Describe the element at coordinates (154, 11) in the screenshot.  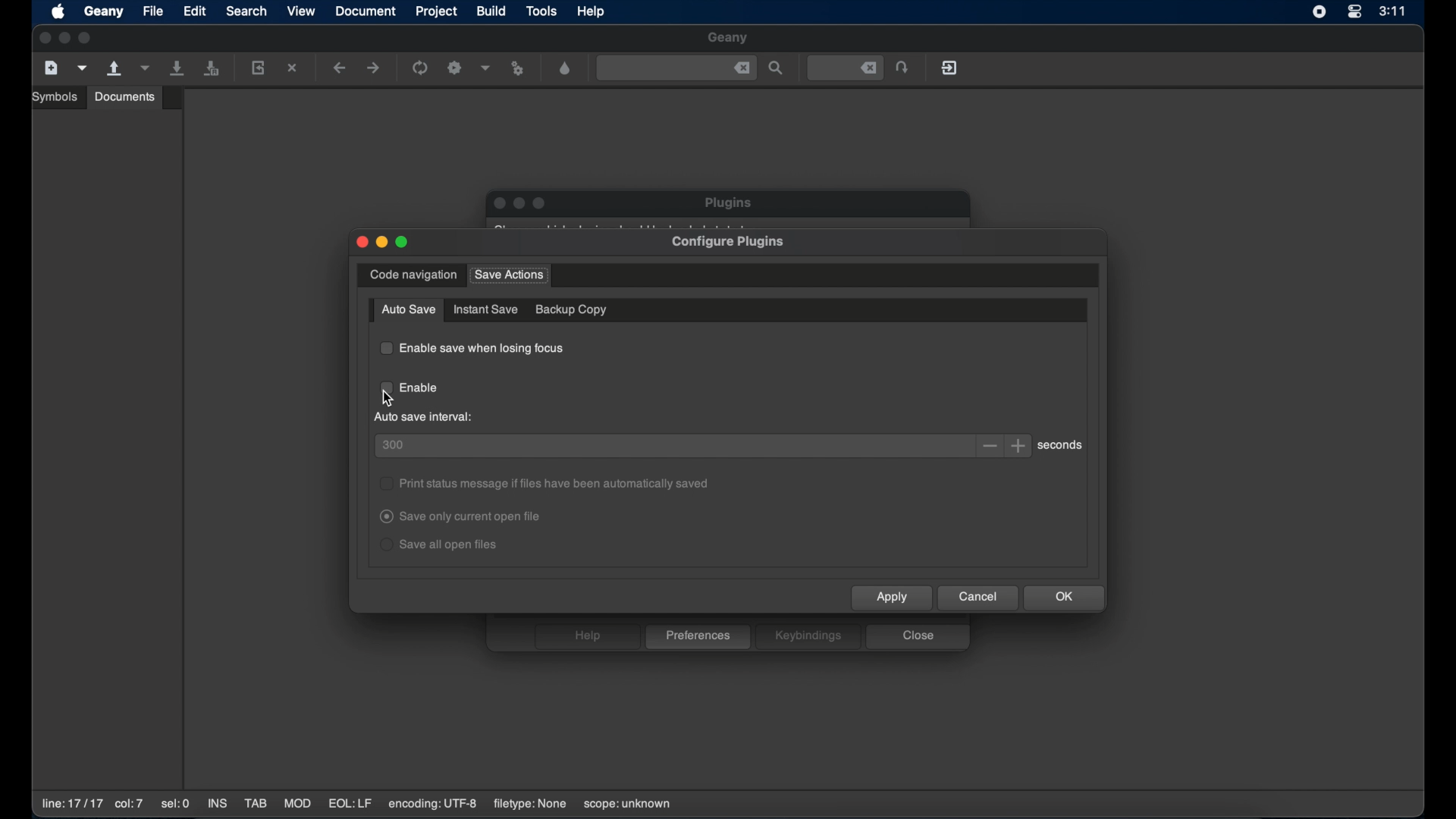
I see `file` at that location.